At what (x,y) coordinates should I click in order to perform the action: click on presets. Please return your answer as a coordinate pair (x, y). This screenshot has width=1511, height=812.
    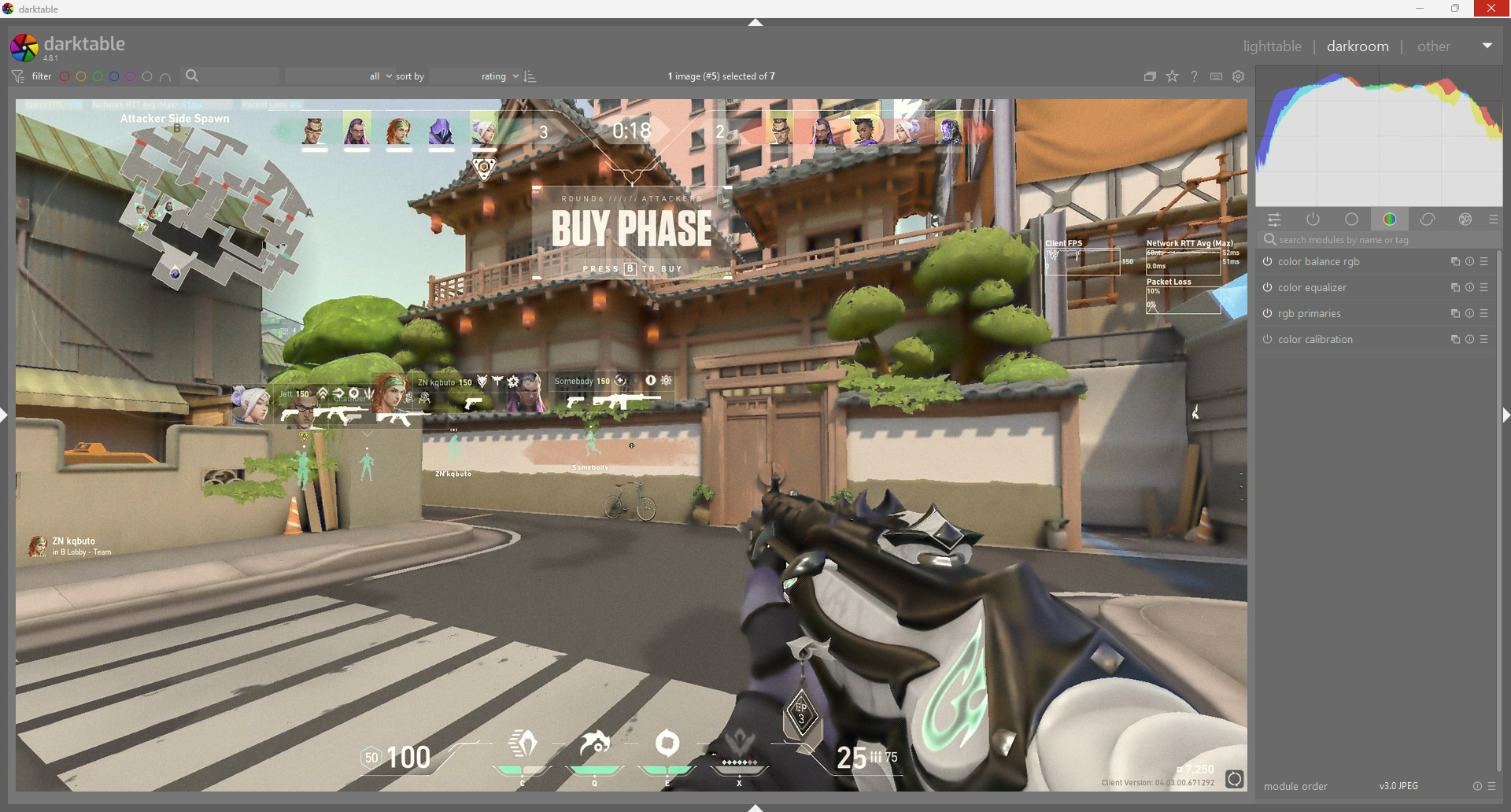
    Looking at the image, I should click on (1486, 287).